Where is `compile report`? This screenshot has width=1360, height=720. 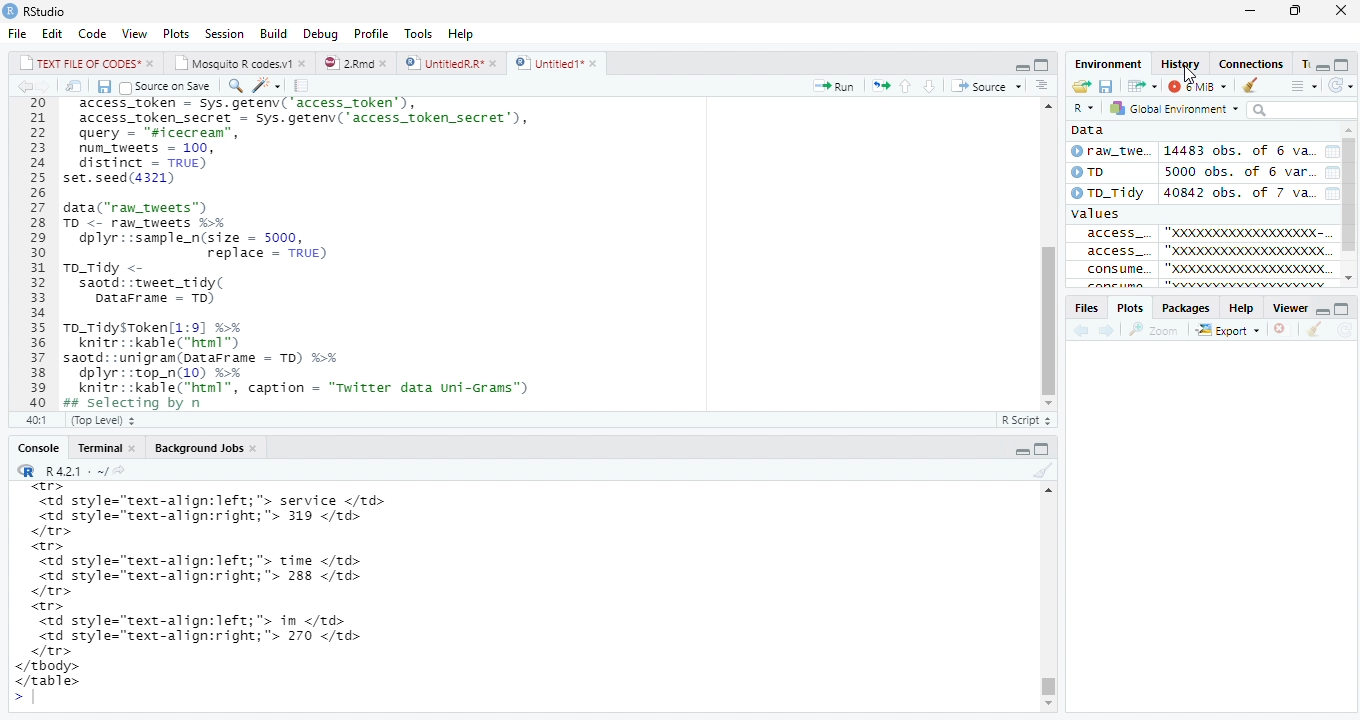 compile report is located at coordinates (301, 85).